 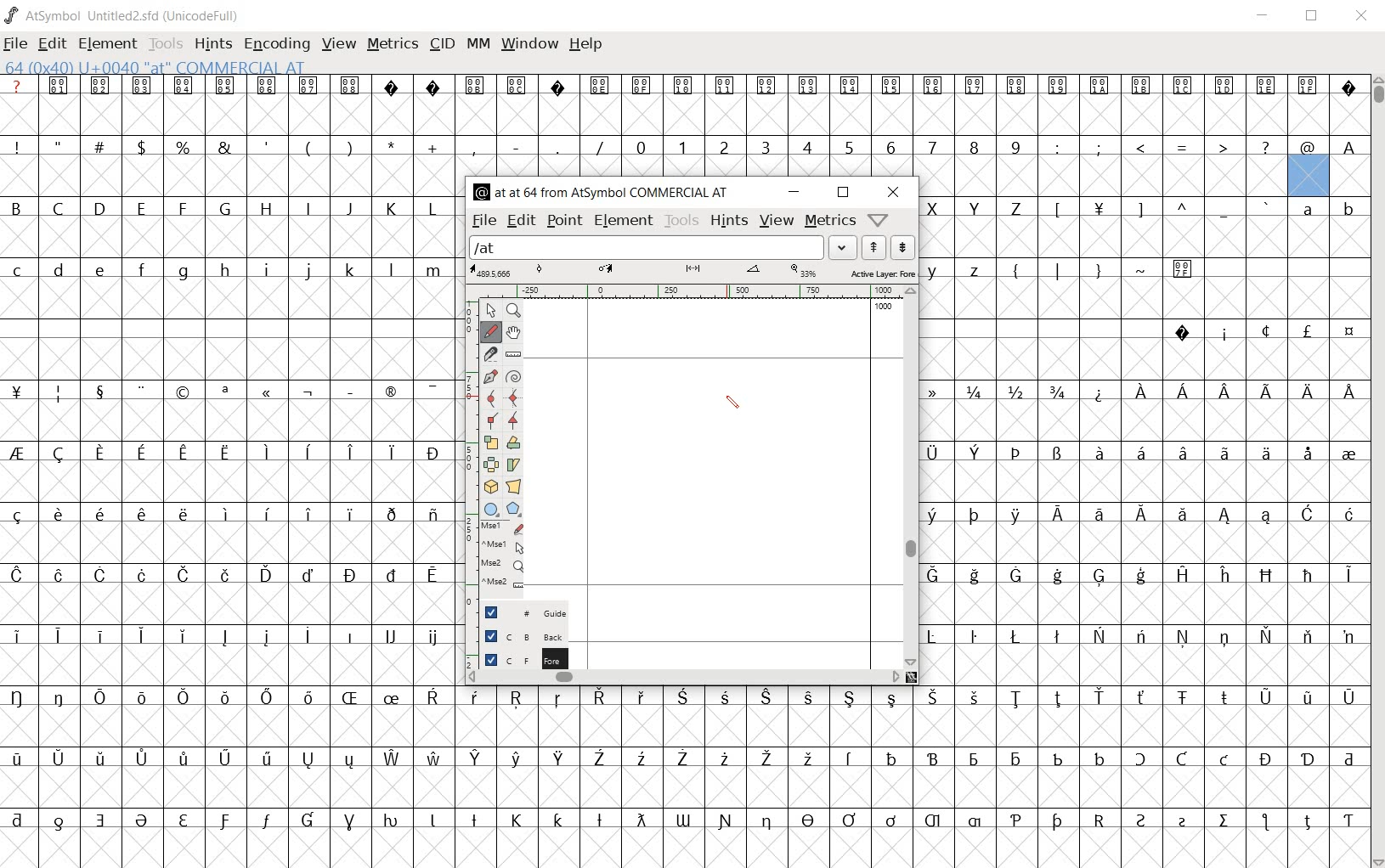 What do you see at coordinates (53, 44) in the screenshot?
I see `EDIT` at bounding box center [53, 44].